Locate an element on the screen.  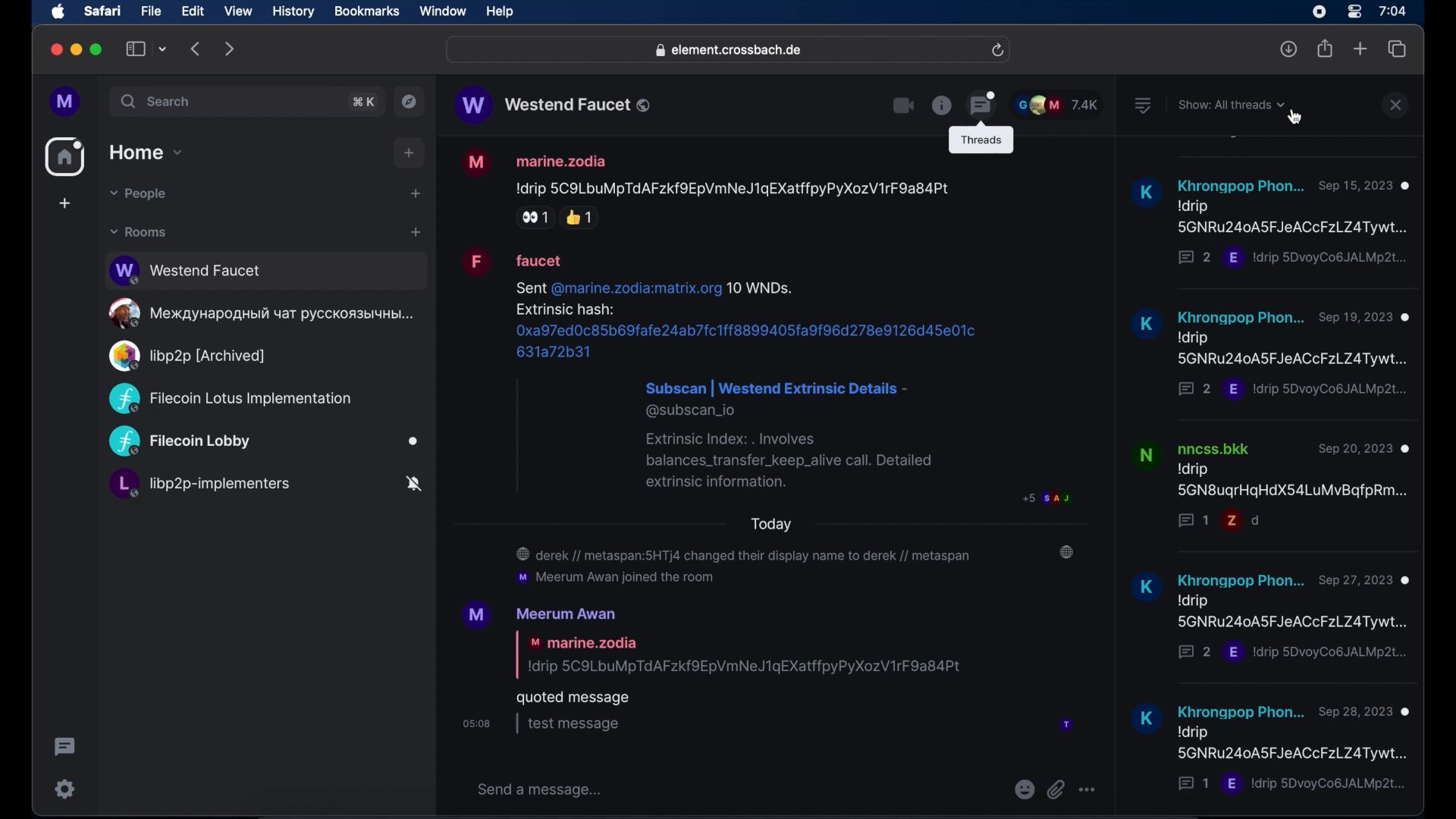
show tab overview is located at coordinates (1398, 49).